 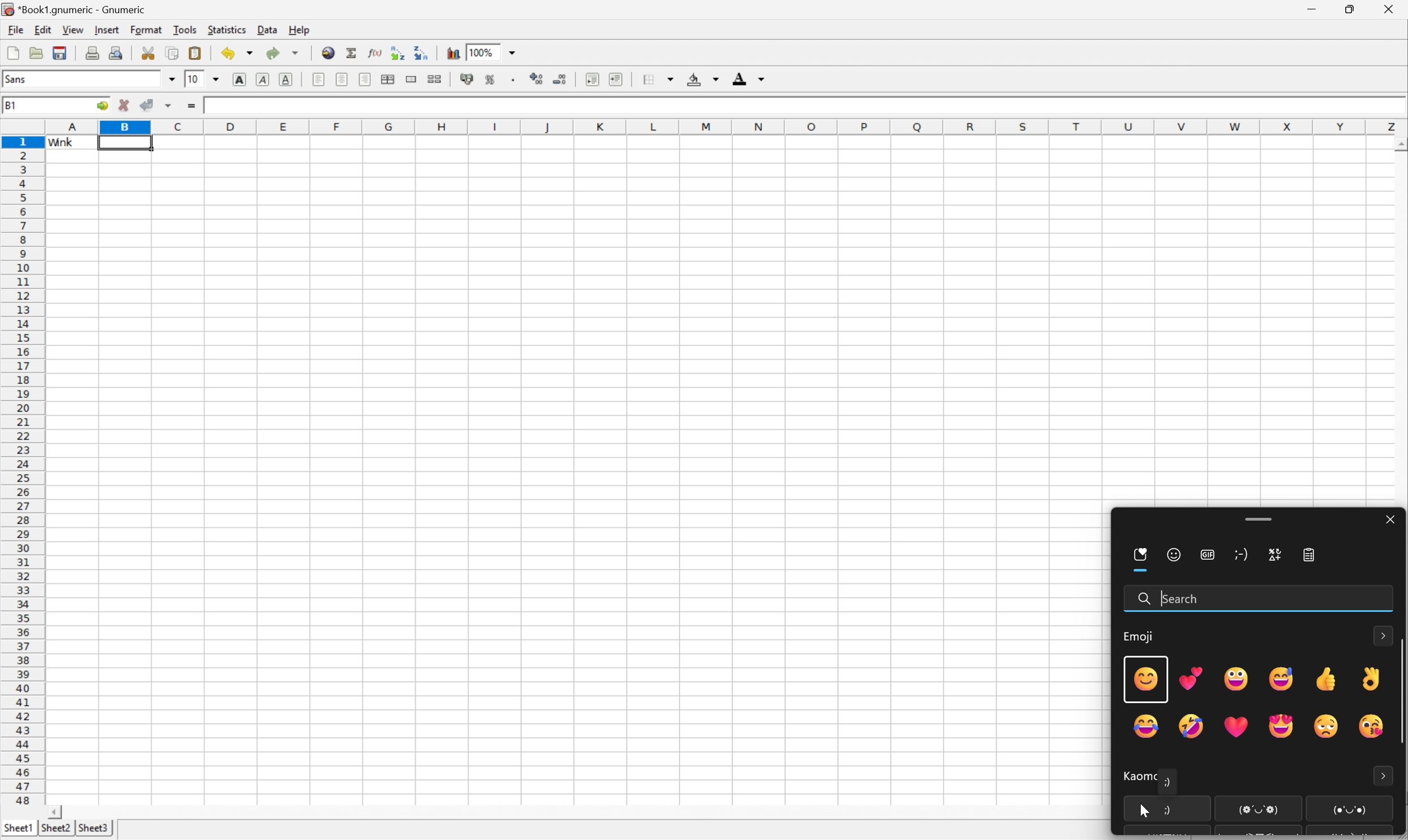 I want to click on background, so click(x=703, y=77).